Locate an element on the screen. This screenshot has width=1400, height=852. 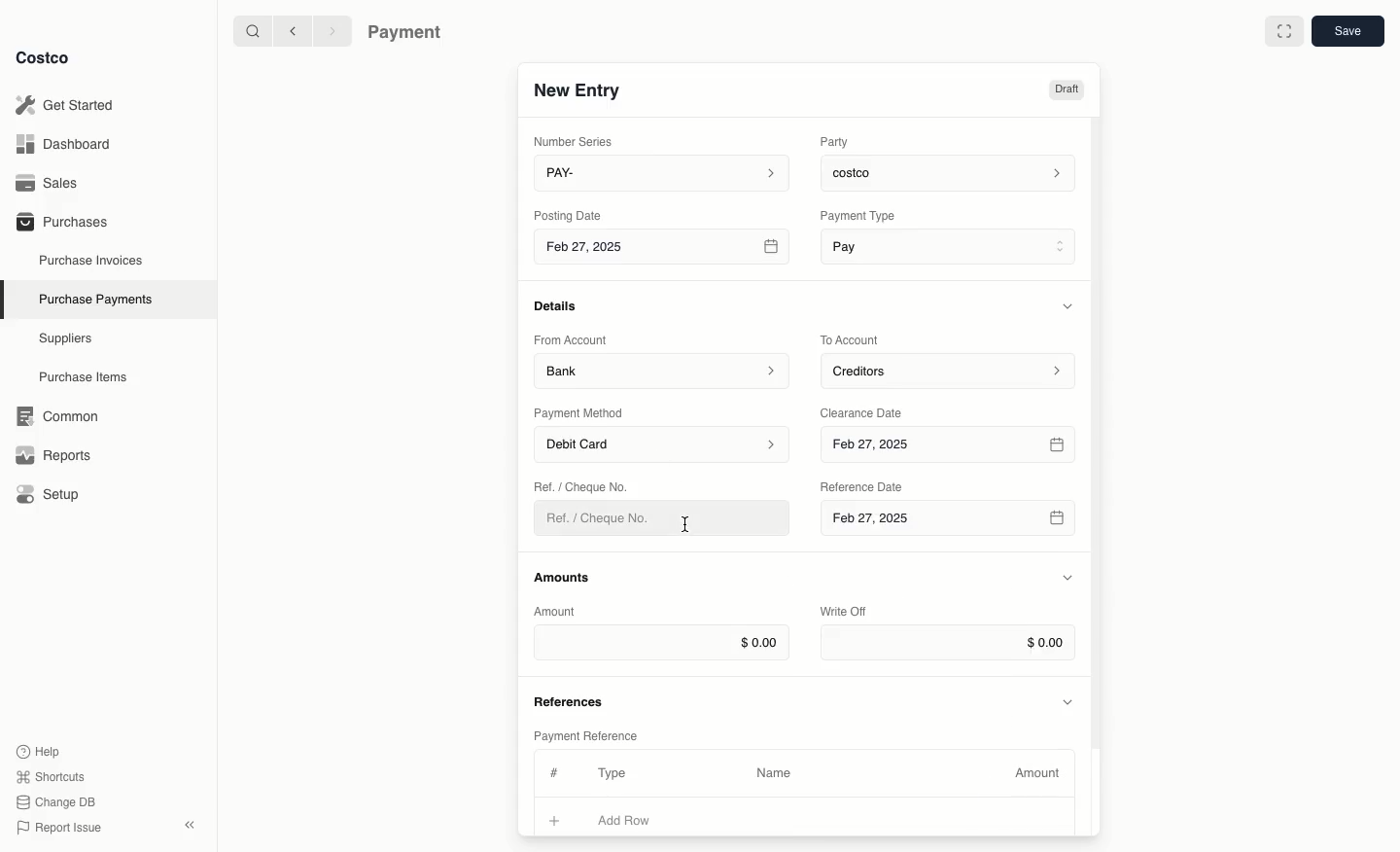
Payment Method is located at coordinates (580, 412).